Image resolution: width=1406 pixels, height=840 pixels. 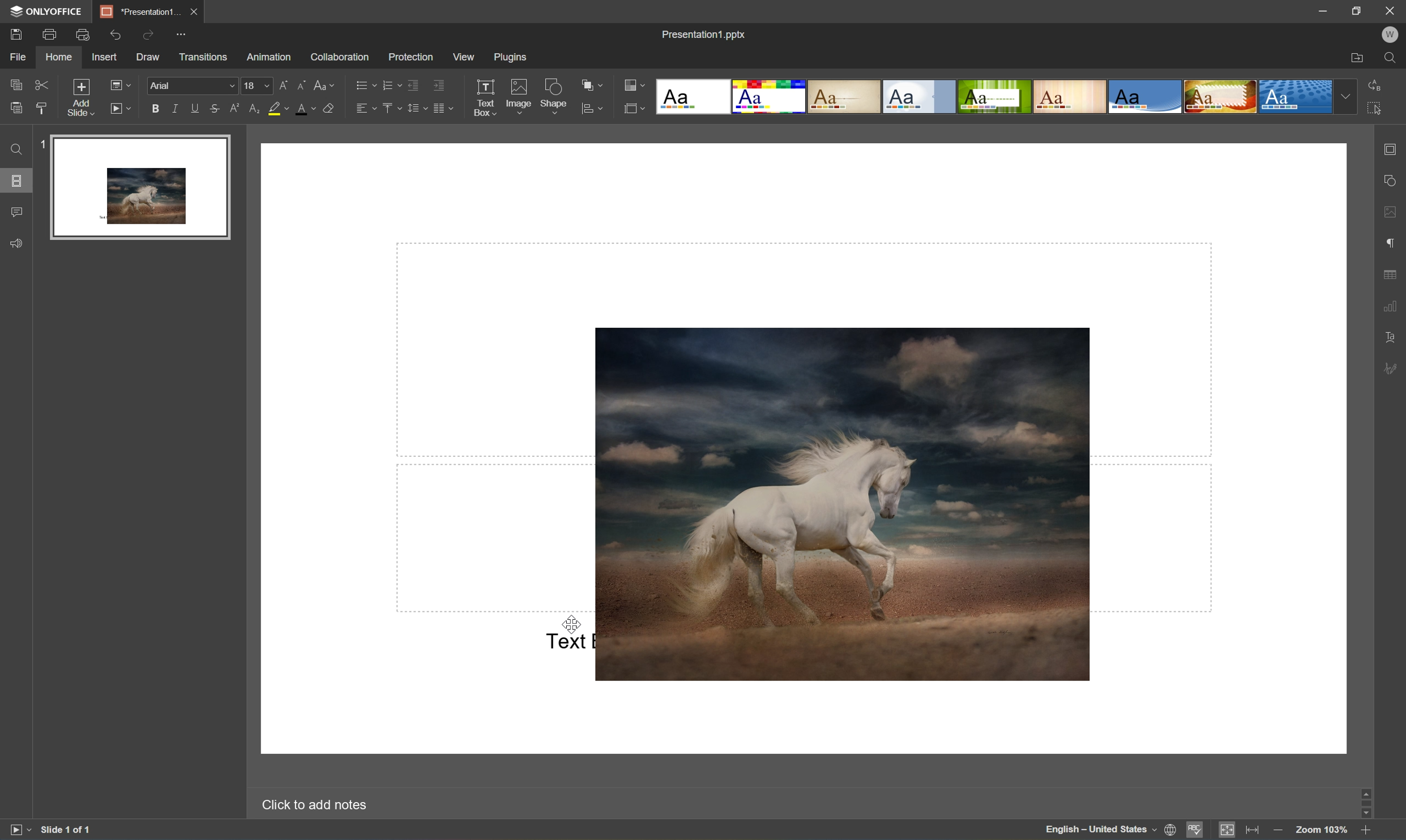 I want to click on View, so click(x=465, y=57).